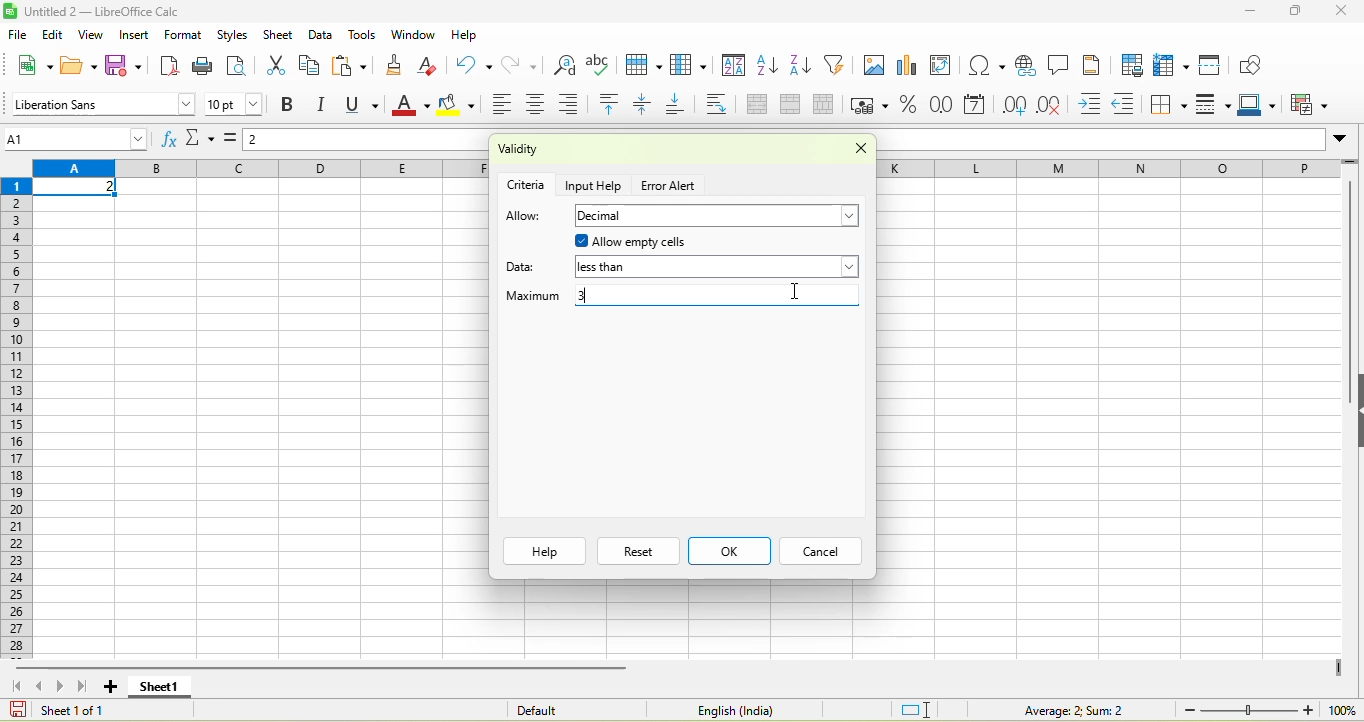 This screenshot has height=722, width=1364. I want to click on bold, so click(289, 106).